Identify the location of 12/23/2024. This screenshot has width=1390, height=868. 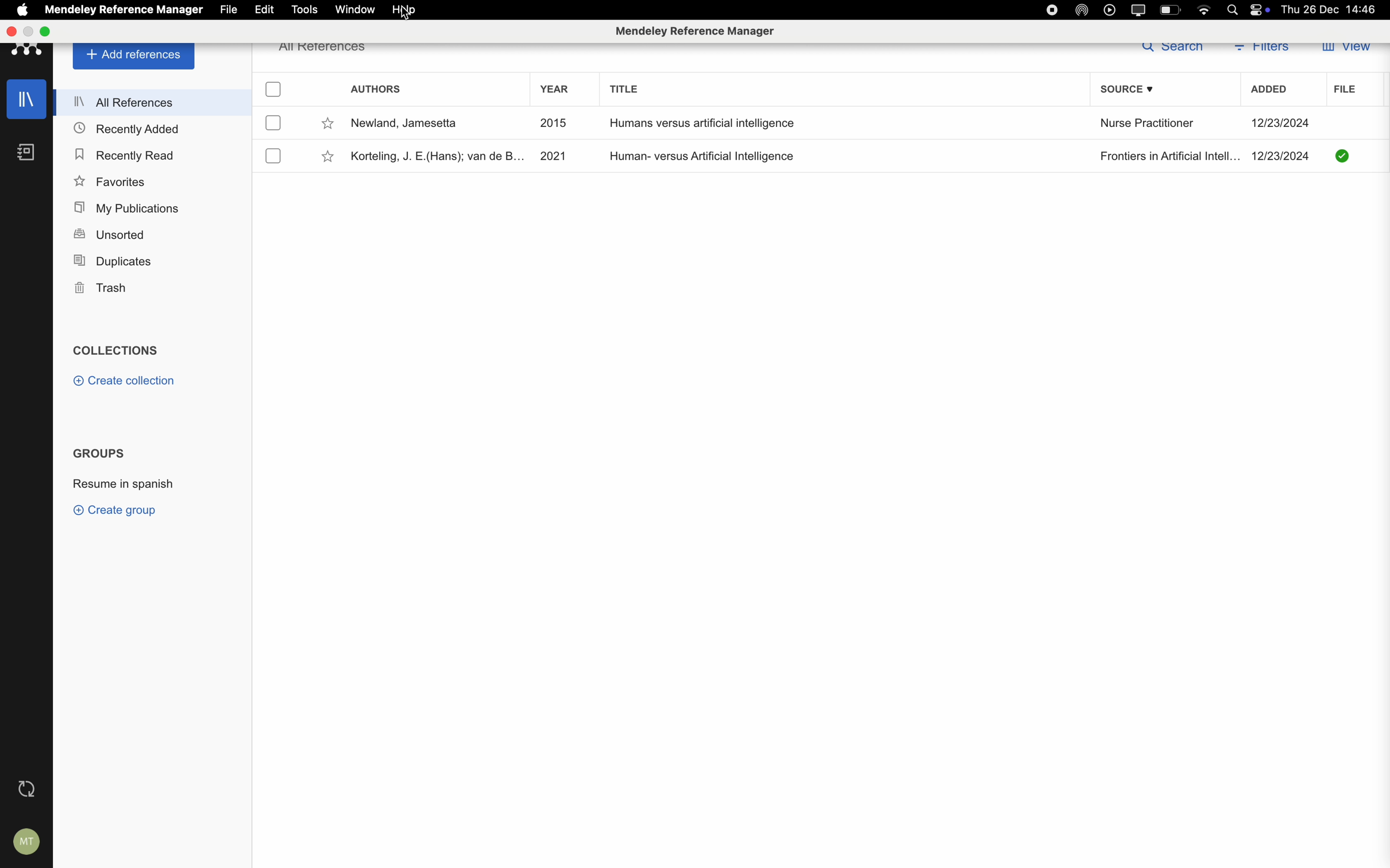
(1284, 123).